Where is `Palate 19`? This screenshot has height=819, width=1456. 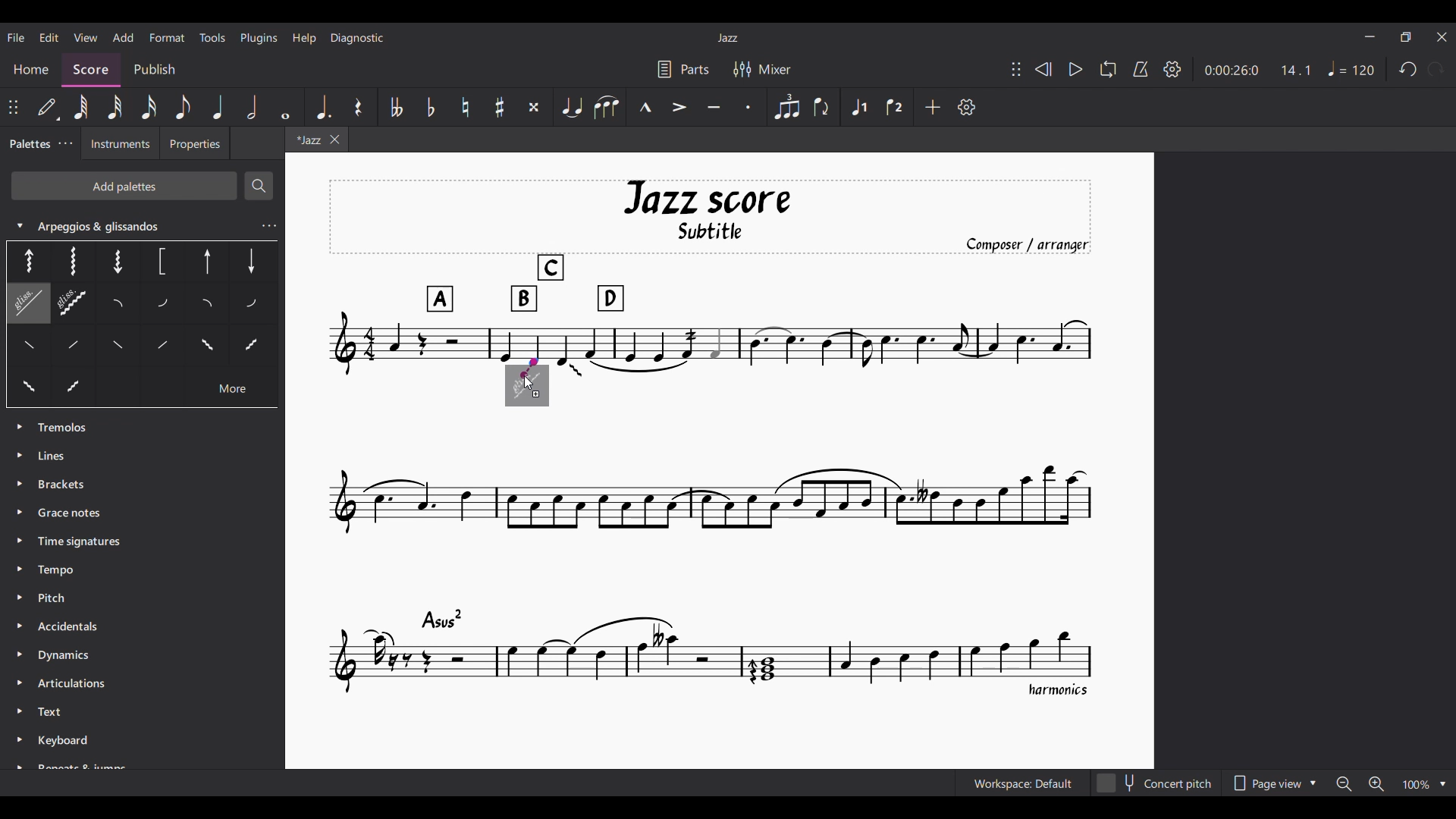 Palate 19 is located at coordinates (74, 388).